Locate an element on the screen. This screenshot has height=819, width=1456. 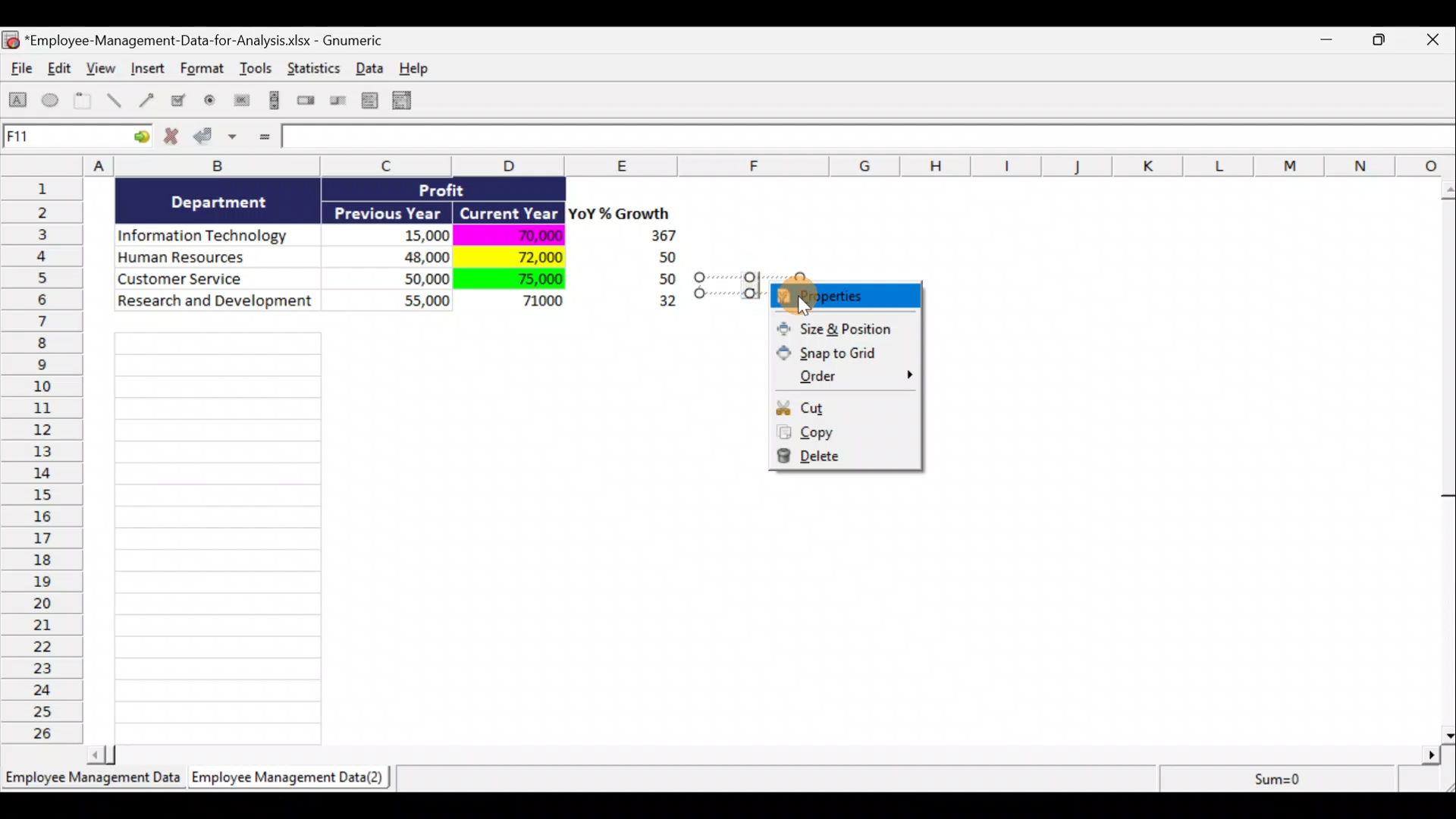
Properties is located at coordinates (847, 295).